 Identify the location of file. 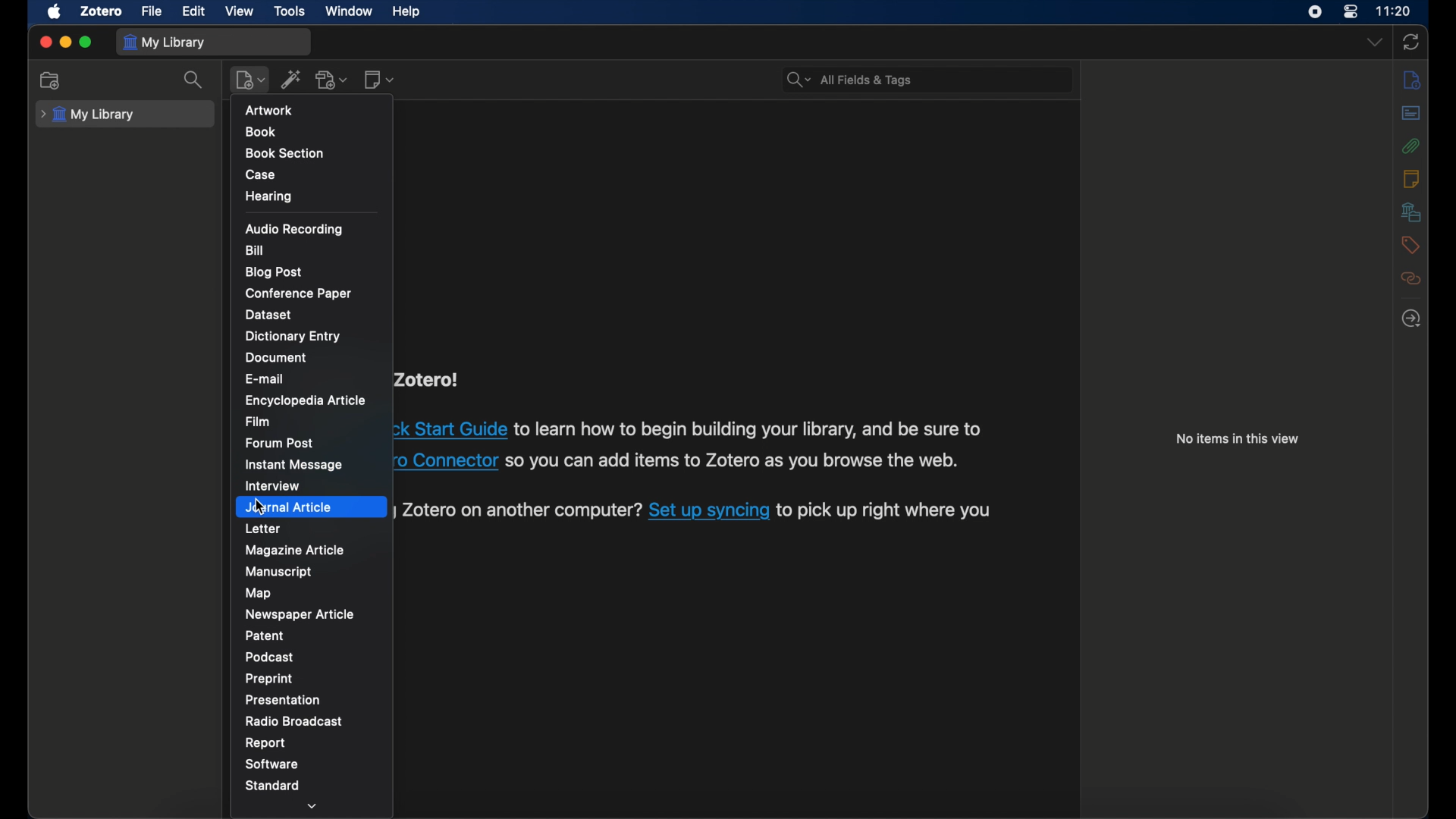
(151, 11).